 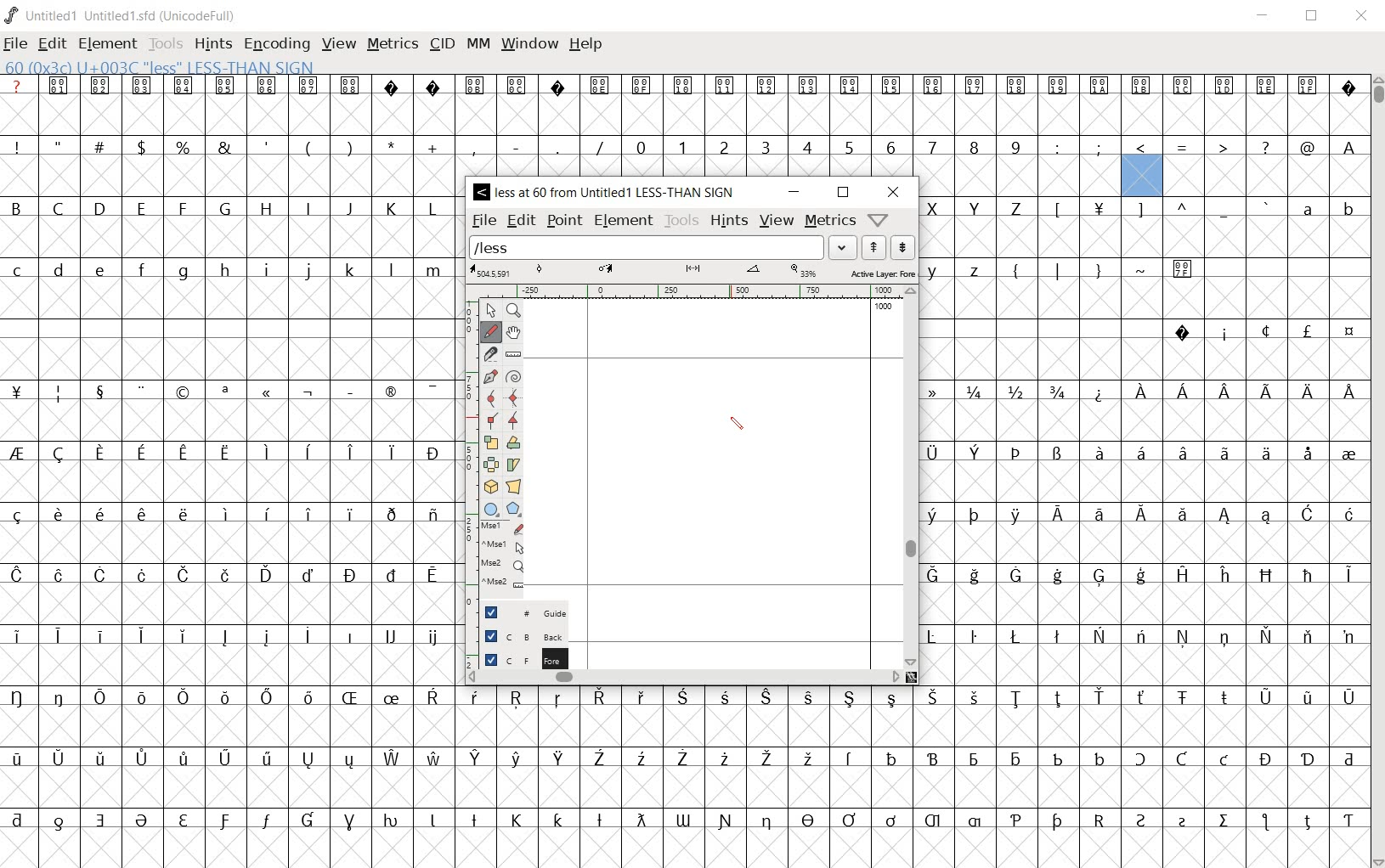 What do you see at coordinates (663, 247) in the screenshot?
I see `load word list` at bounding box center [663, 247].